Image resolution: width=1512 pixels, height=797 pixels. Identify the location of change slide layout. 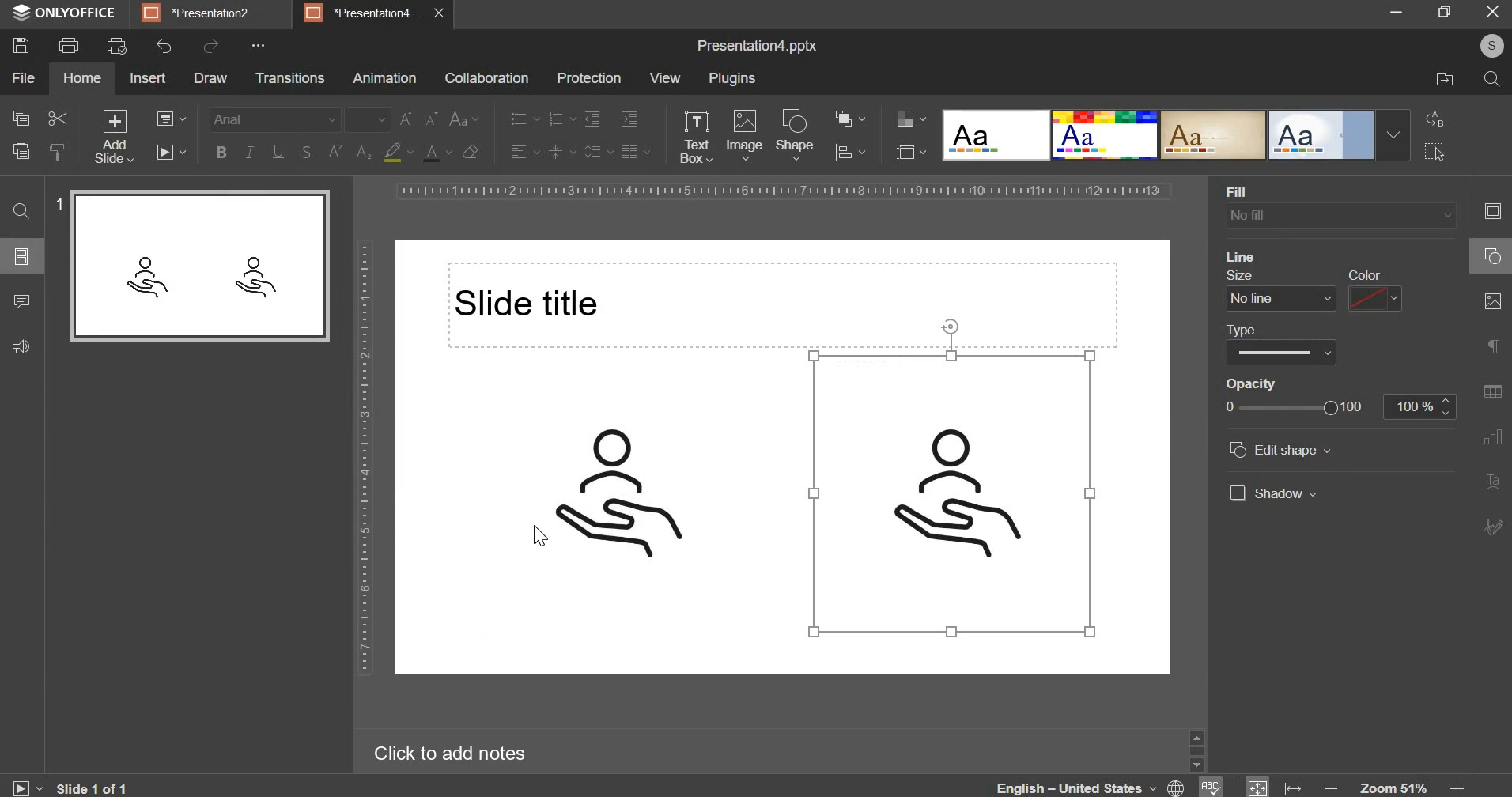
(177, 122).